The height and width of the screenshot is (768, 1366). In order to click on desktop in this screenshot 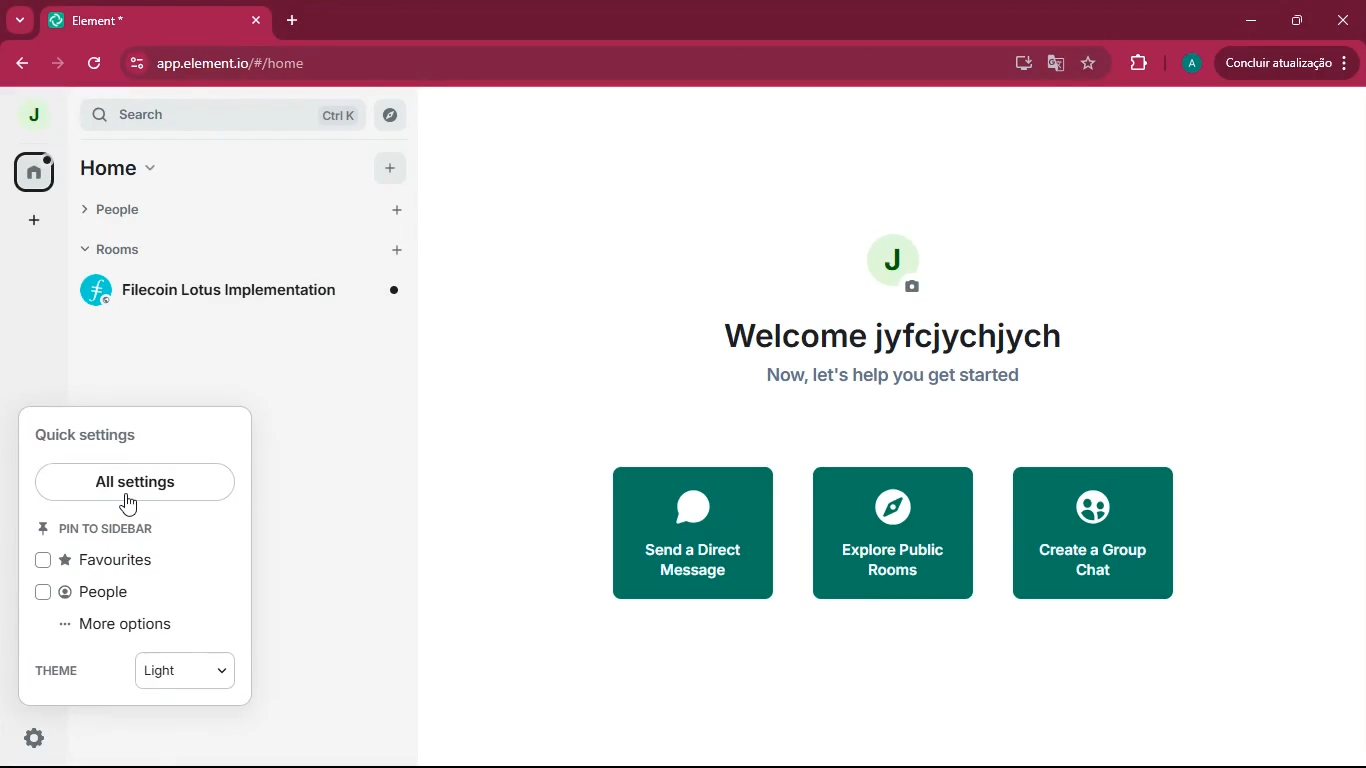, I will do `click(1019, 62)`.